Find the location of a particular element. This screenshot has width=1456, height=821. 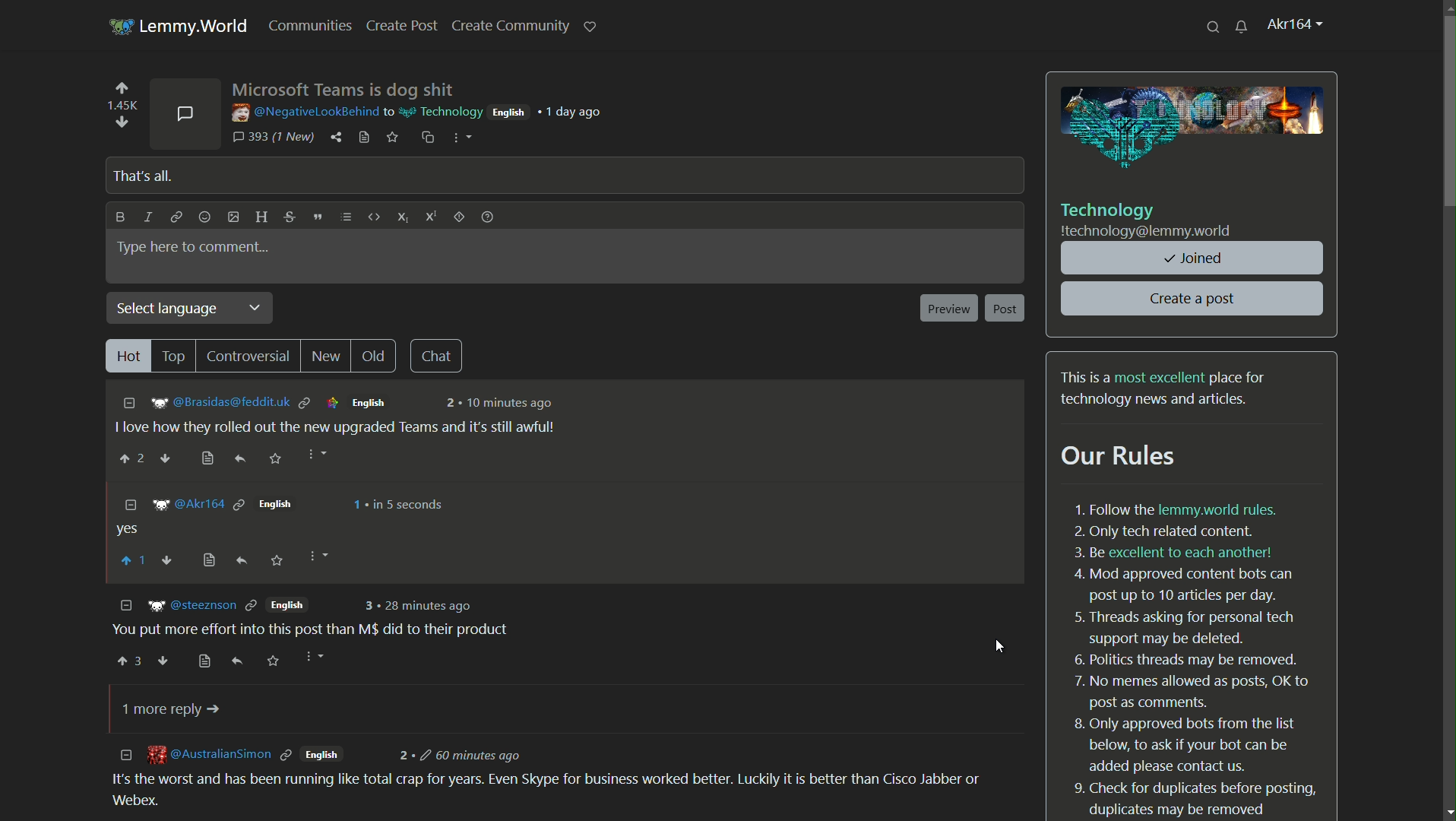

new is located at coordinates (328, 357).